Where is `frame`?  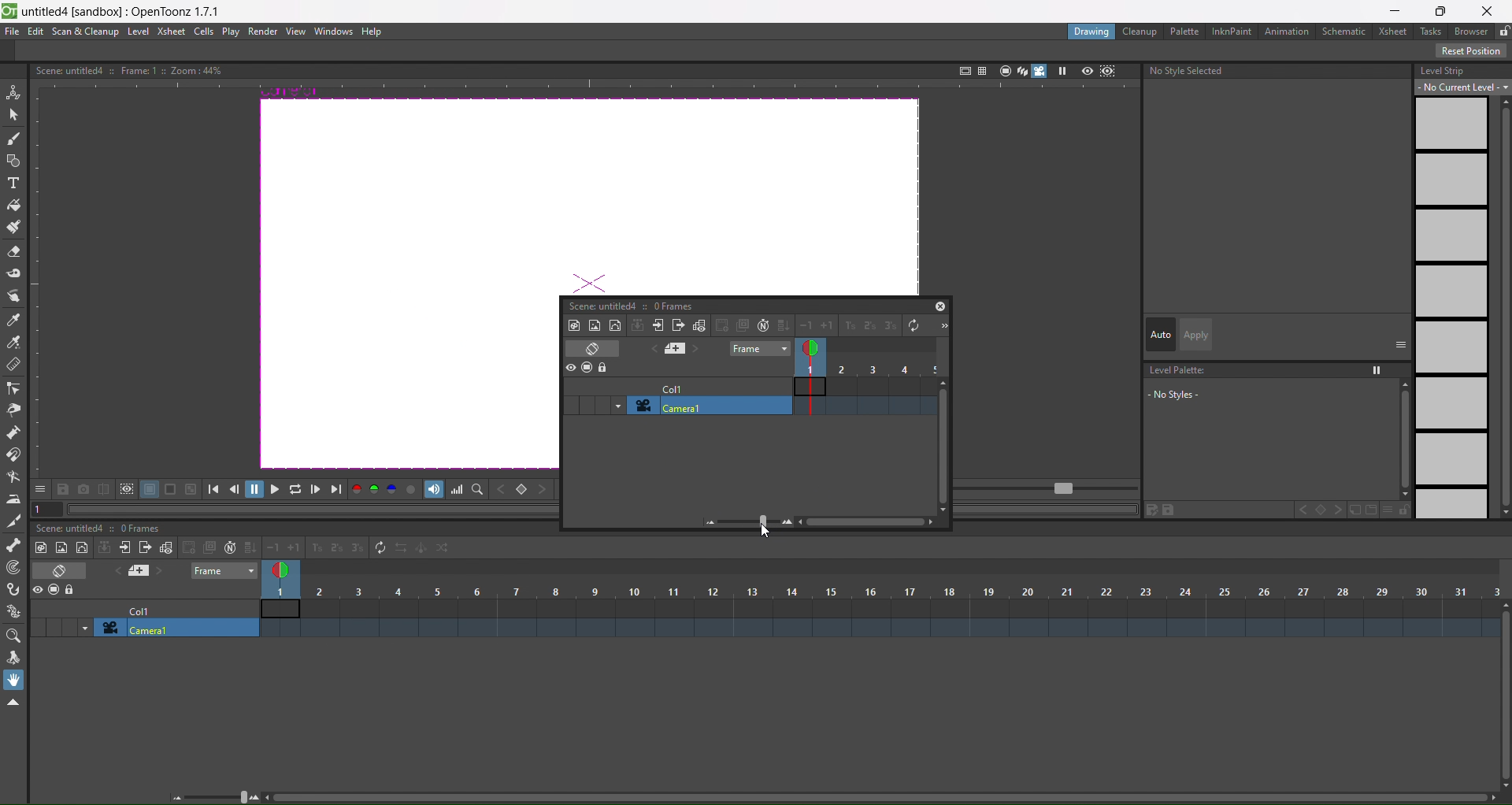 frame is located at coordinates (225, 570).